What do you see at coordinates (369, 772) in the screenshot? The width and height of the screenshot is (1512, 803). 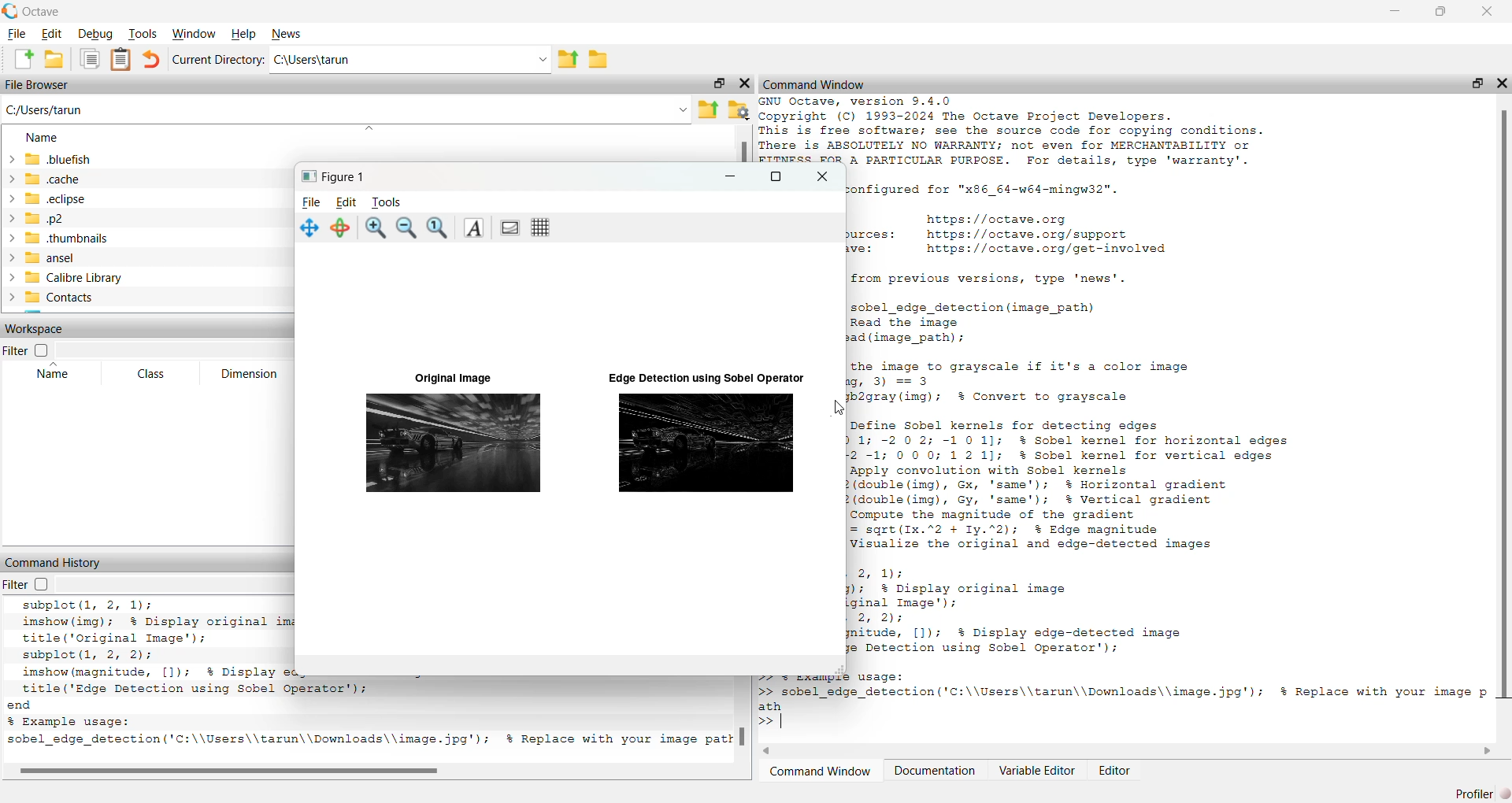 I see `horizontal scroll bar` at bounding box center [369, 772].